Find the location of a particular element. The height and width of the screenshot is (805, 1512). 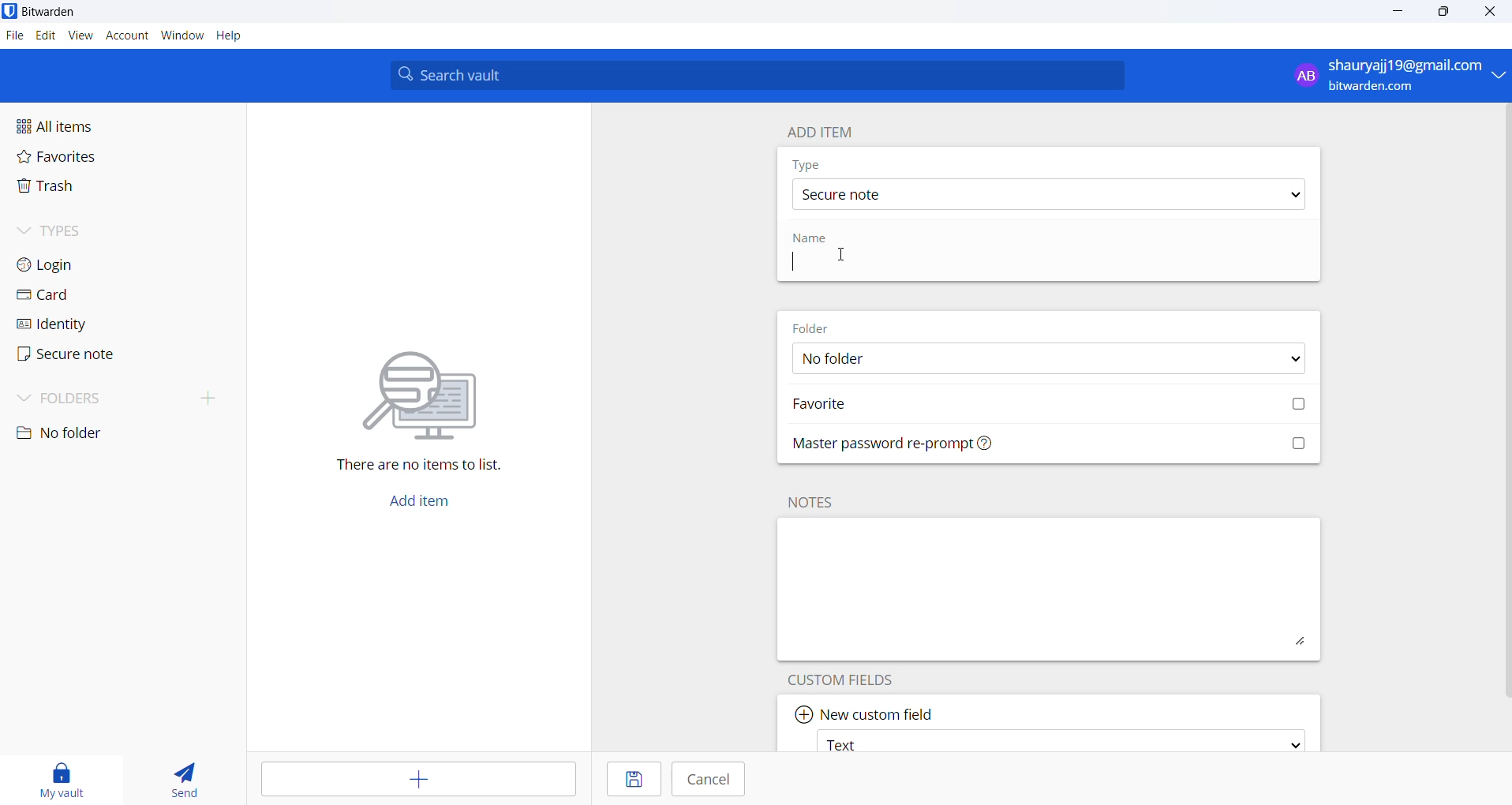

save is located at coordinates (627, 779).